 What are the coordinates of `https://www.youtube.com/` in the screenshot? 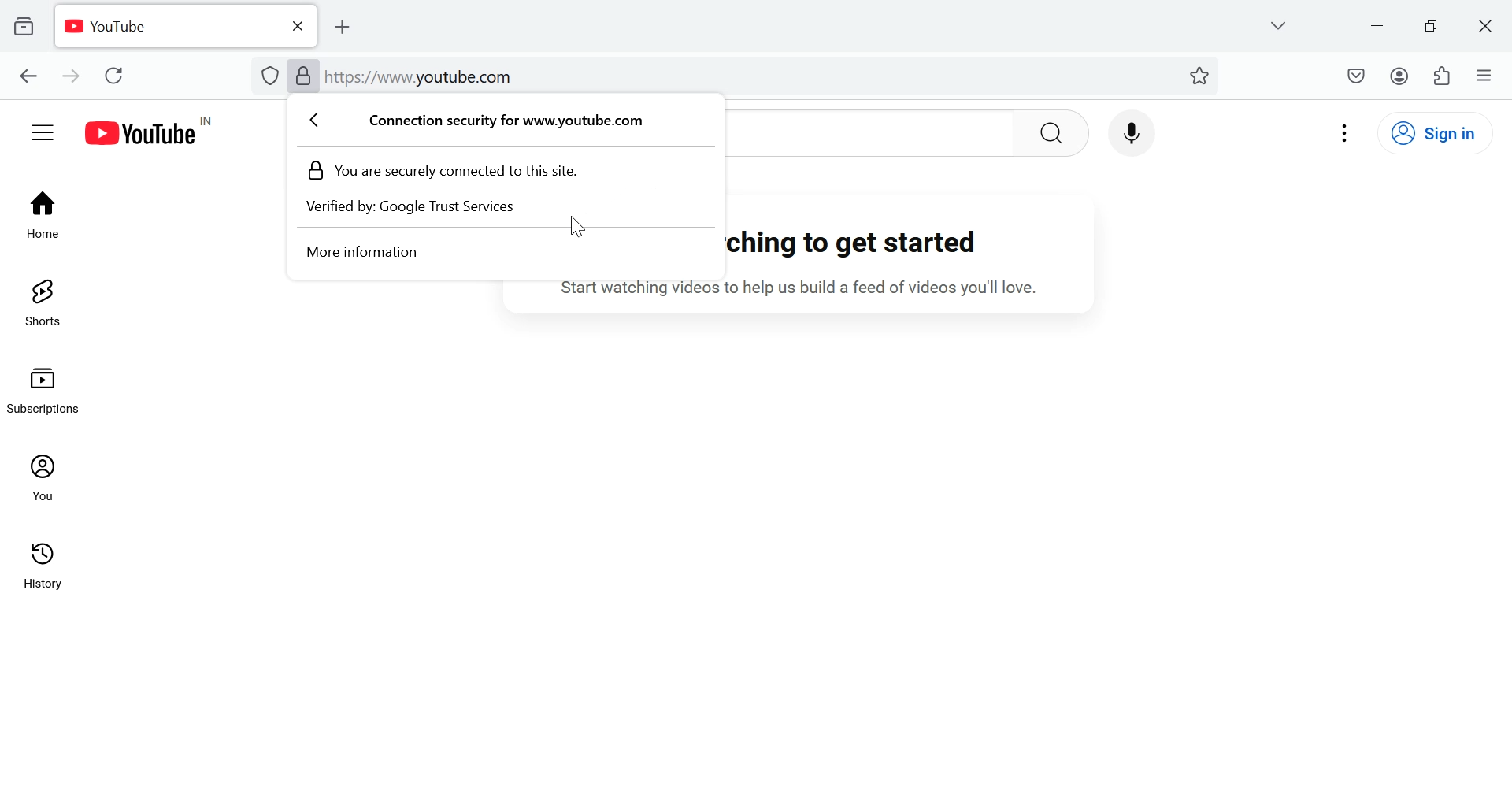 It's located at (422, 76).